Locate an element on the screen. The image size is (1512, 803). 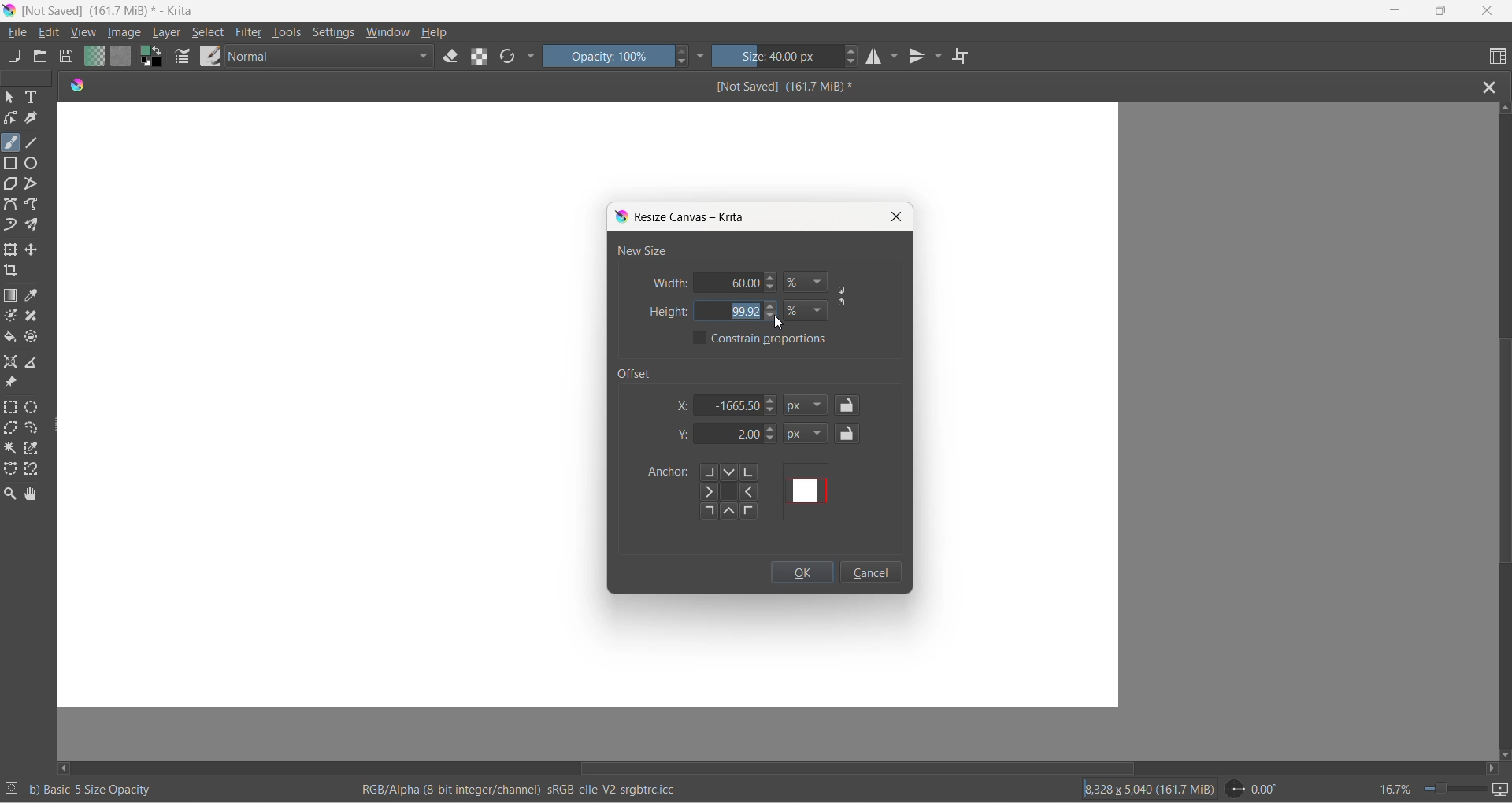
scroll left button is located at coordinates (67, 767).